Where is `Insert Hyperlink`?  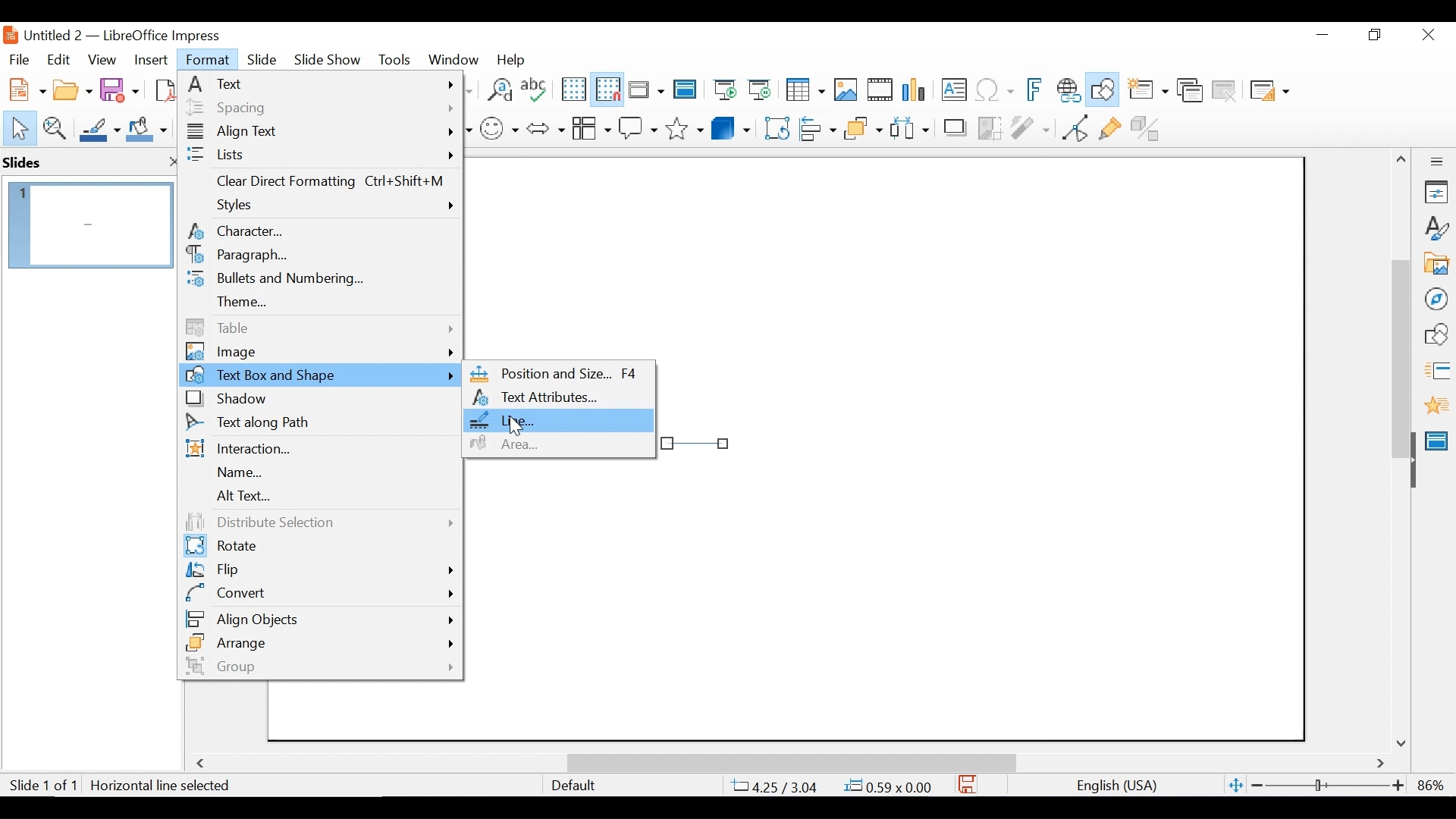 Insert Hyperlink is located at coordinates (1068, 90).